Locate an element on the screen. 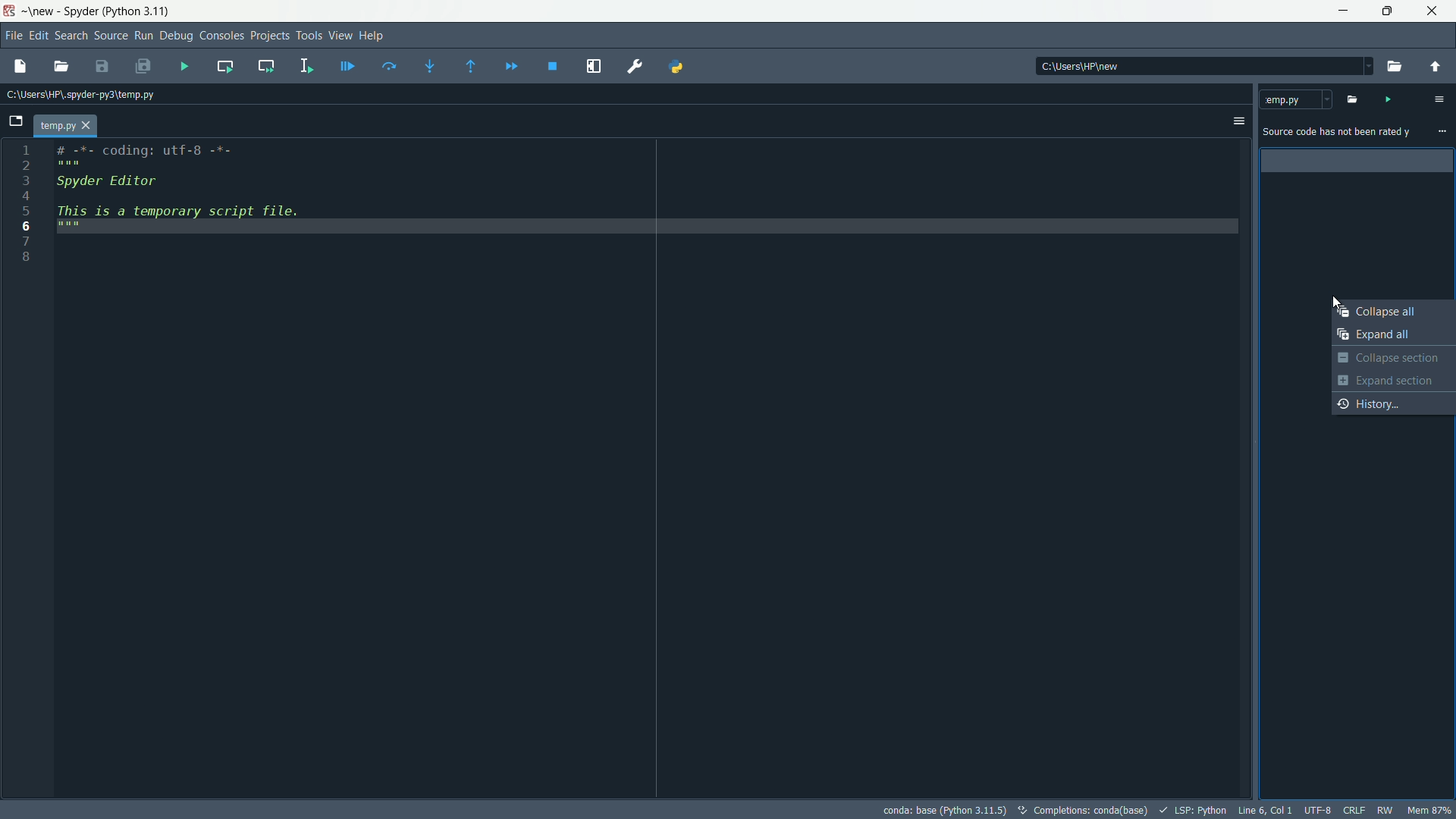 Image resolution: width=1456 pixels, height=819 pixels. consoles menu is located at coordinates (220, 37).